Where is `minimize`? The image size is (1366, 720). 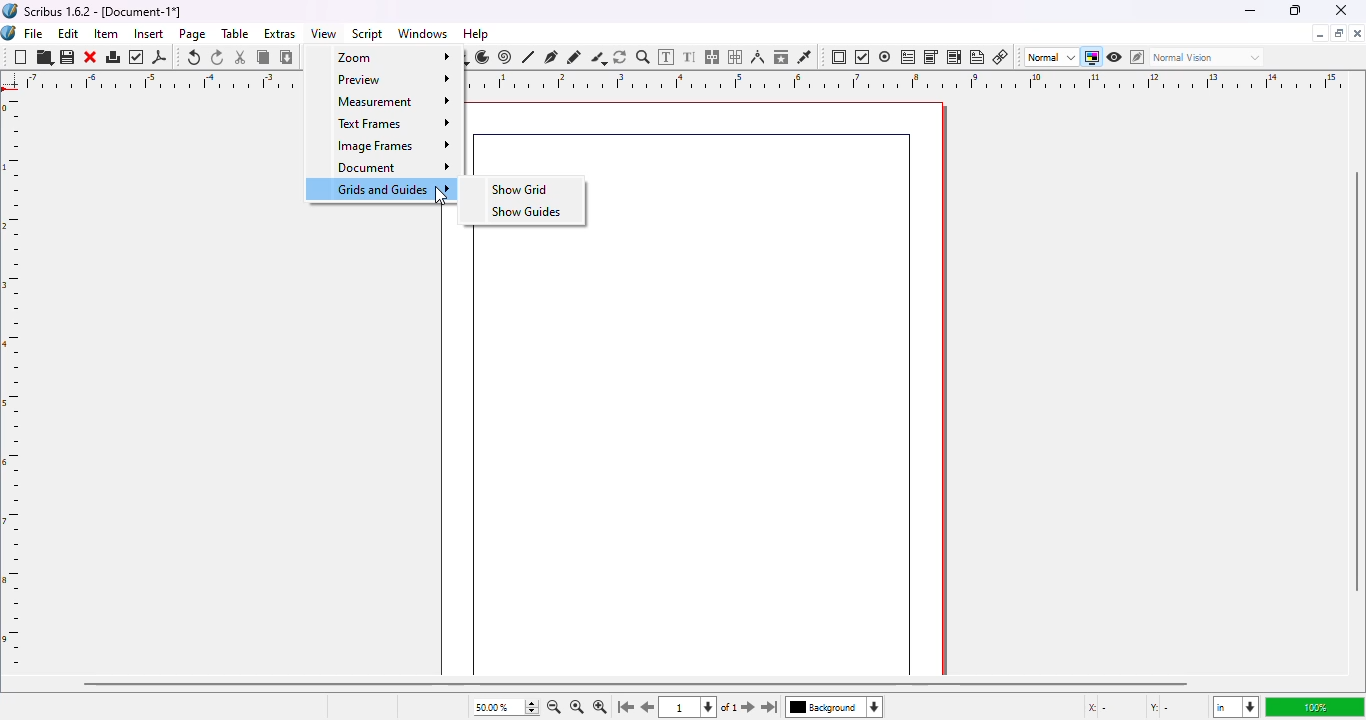
minimize is located at coordinates (1249, 10).